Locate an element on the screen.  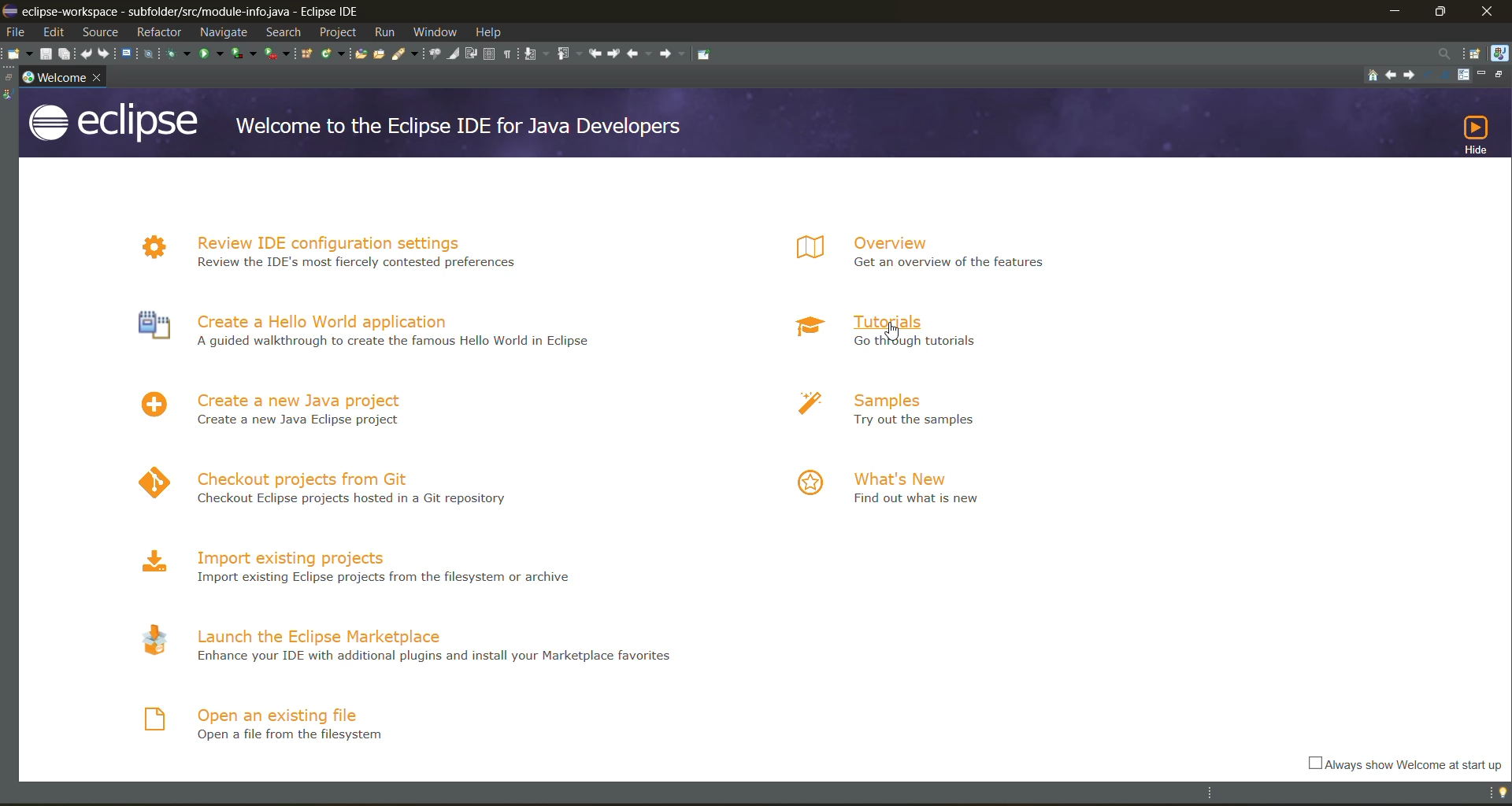
forward is located at coordinates (676, 54).